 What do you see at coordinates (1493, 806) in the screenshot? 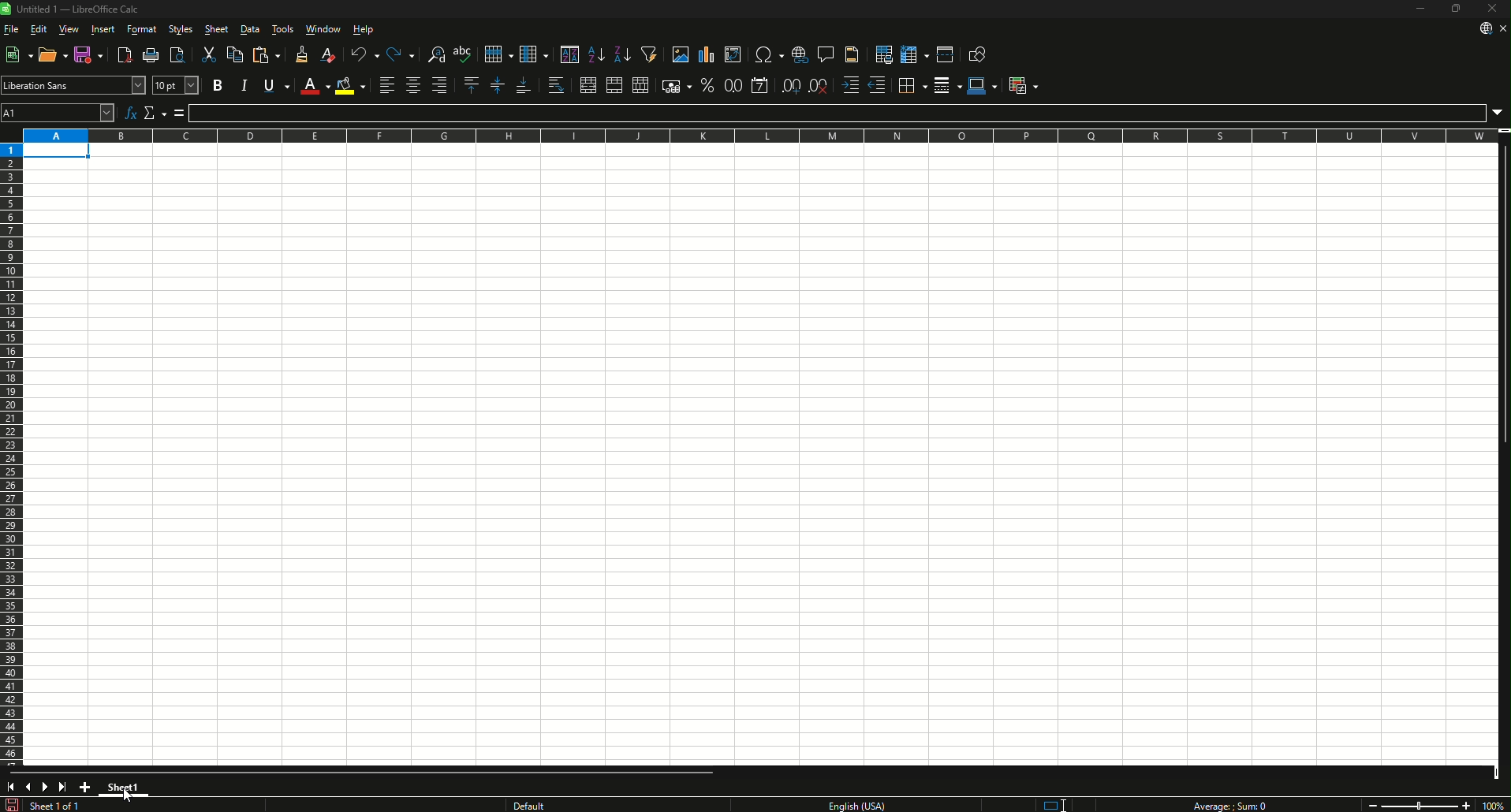
I see `Zoom Factor` at bounding box center [1493, 806].